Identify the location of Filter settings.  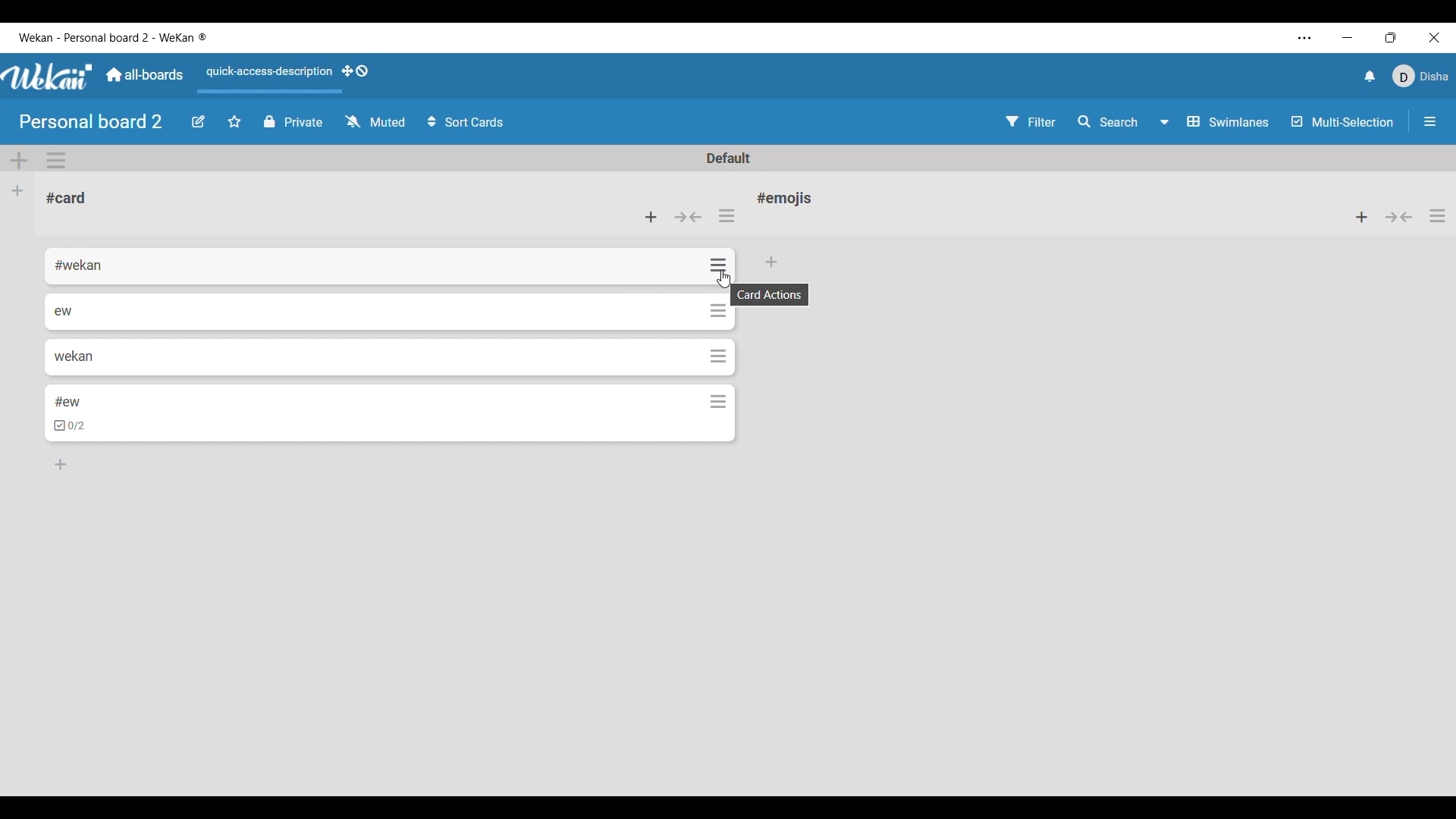
(1031, 121).